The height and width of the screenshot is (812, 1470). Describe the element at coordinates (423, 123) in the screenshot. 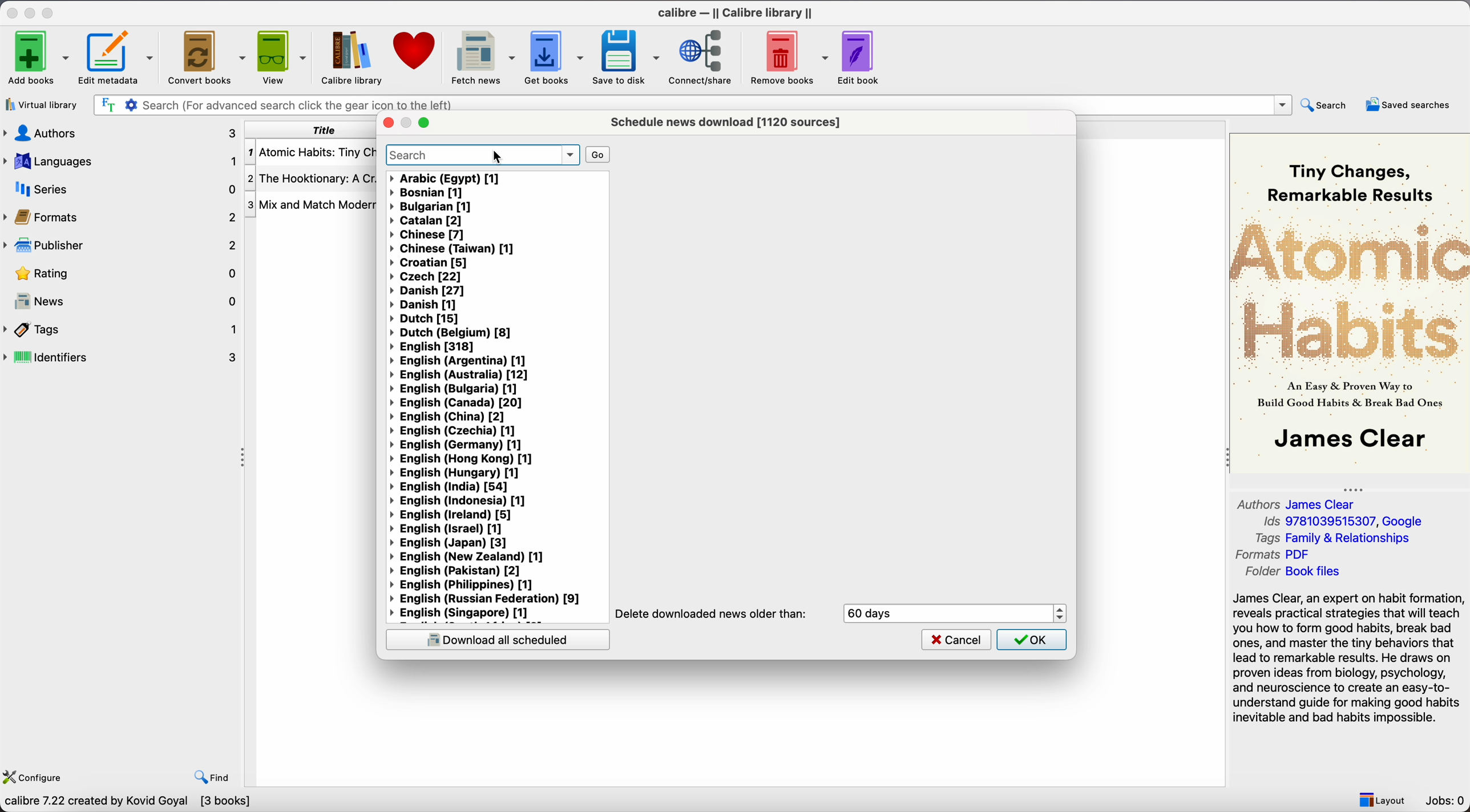

I see `maximize popup` at that location.